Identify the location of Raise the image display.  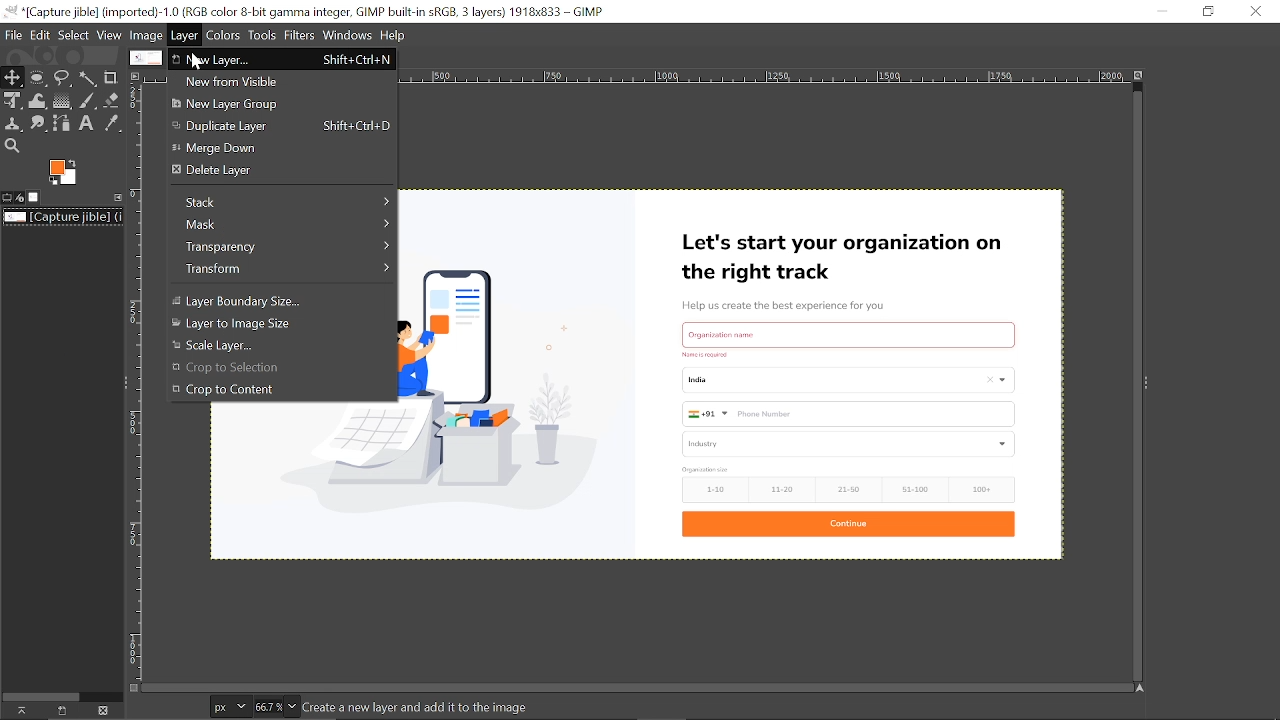
(19, 710).